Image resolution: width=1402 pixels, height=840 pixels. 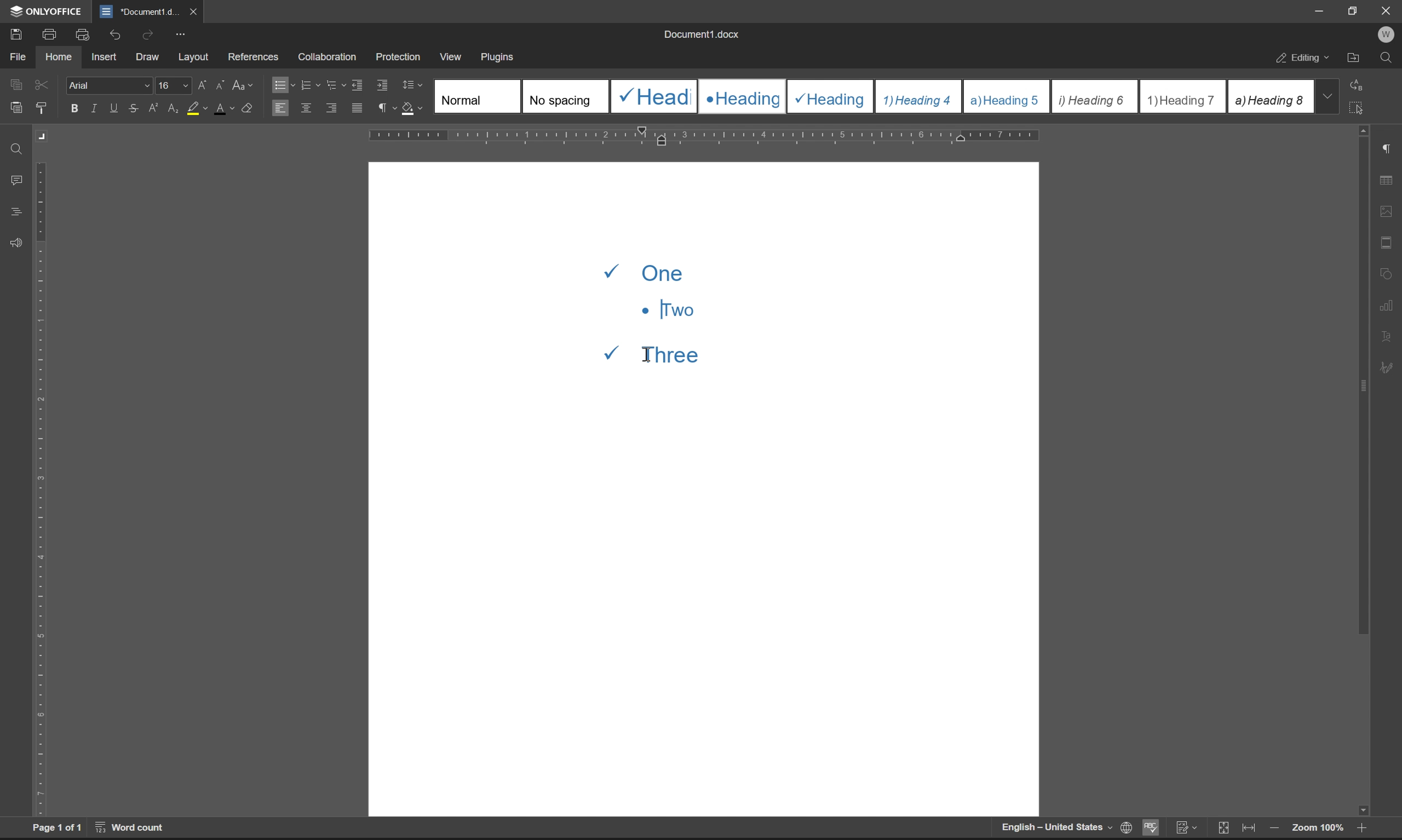 What do you see at coordinates (155, 108) in the screenshot?
I see `superscript` at bounding box center [155, 108].